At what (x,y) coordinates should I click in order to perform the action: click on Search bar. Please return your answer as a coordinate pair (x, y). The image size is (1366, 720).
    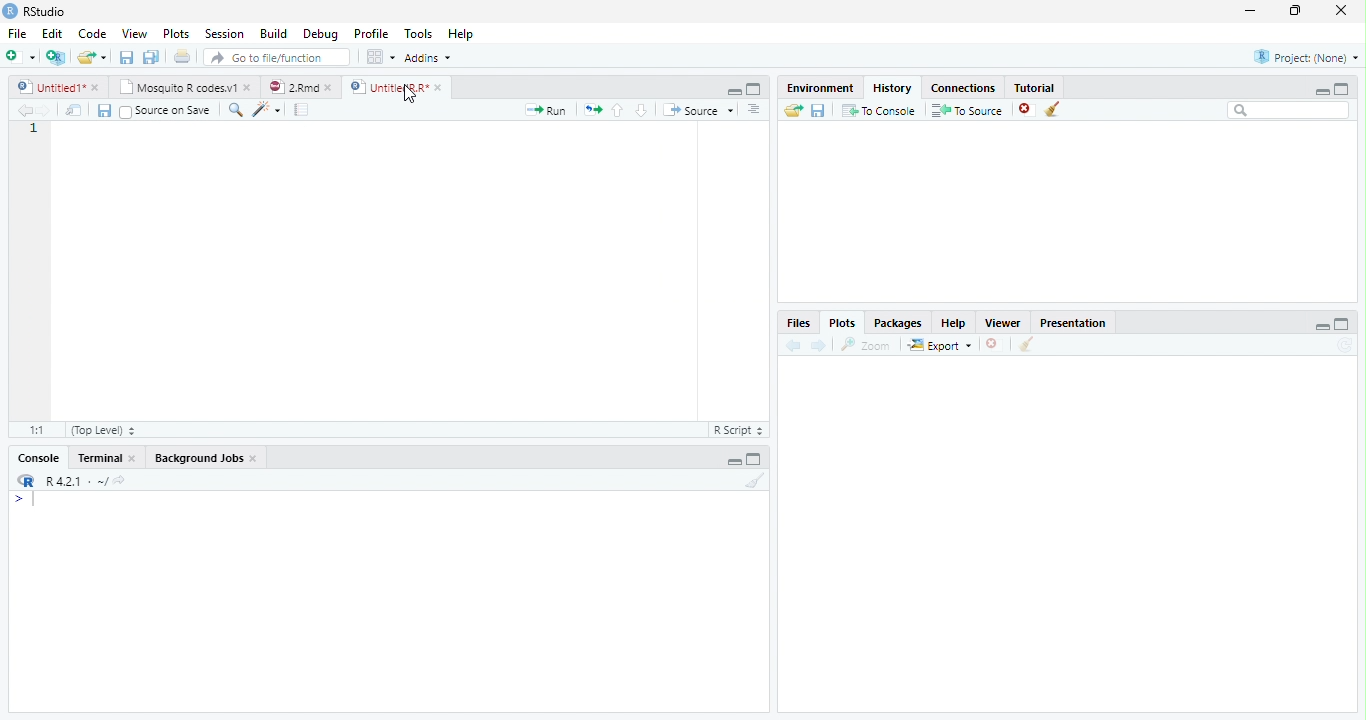
    Looking at the image, I should click on (1289, 111).